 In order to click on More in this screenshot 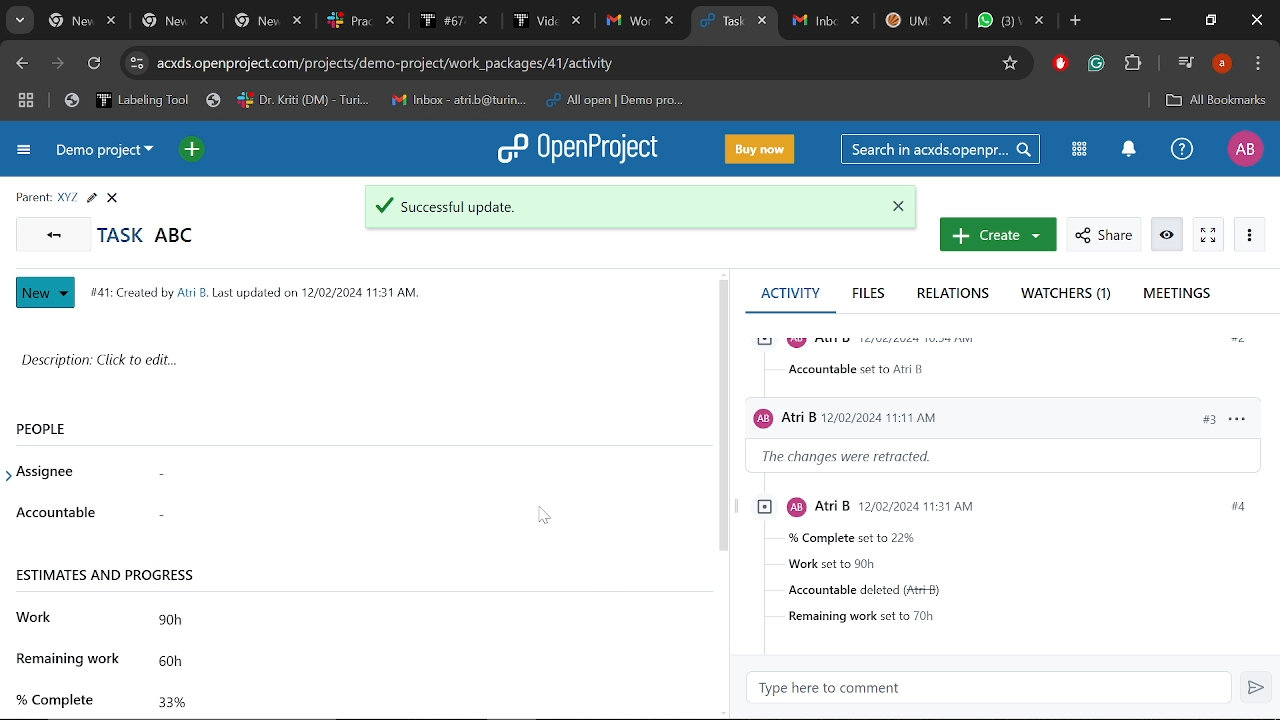, I will do `click(1250, 235)`.